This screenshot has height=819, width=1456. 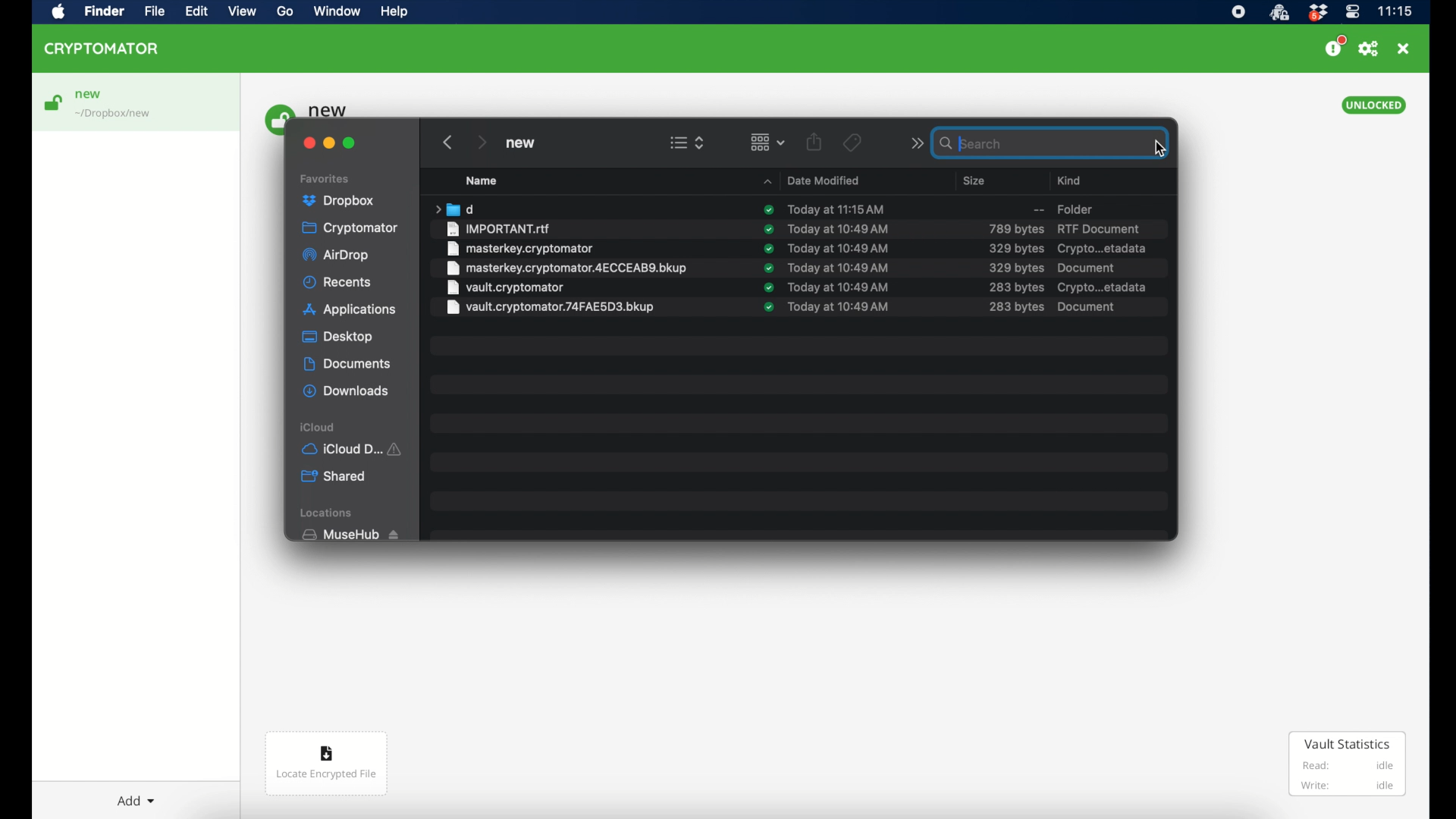 I want to click on file, so click(x=551, y=309).